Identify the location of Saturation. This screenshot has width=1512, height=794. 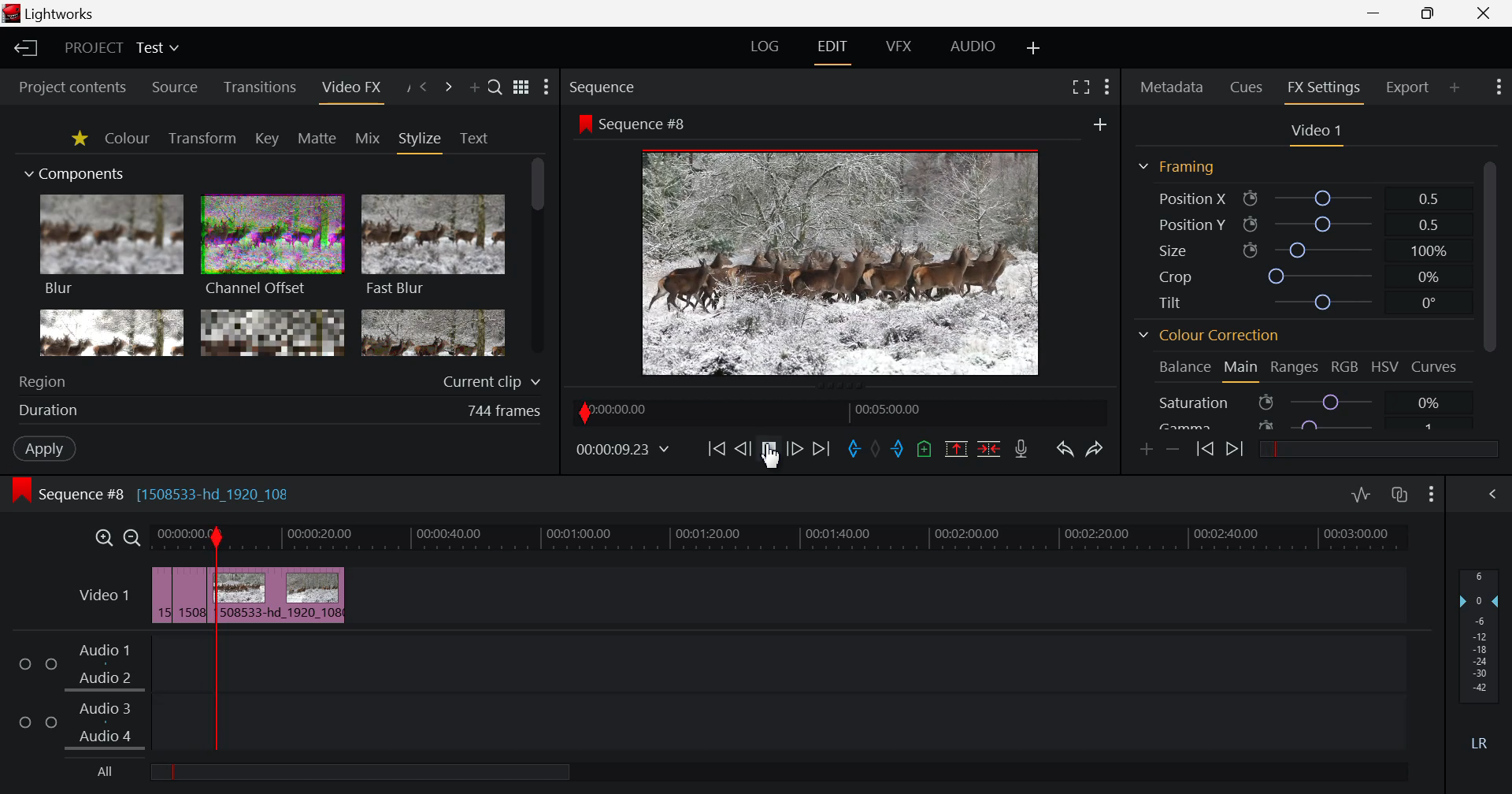
(1310, 400).